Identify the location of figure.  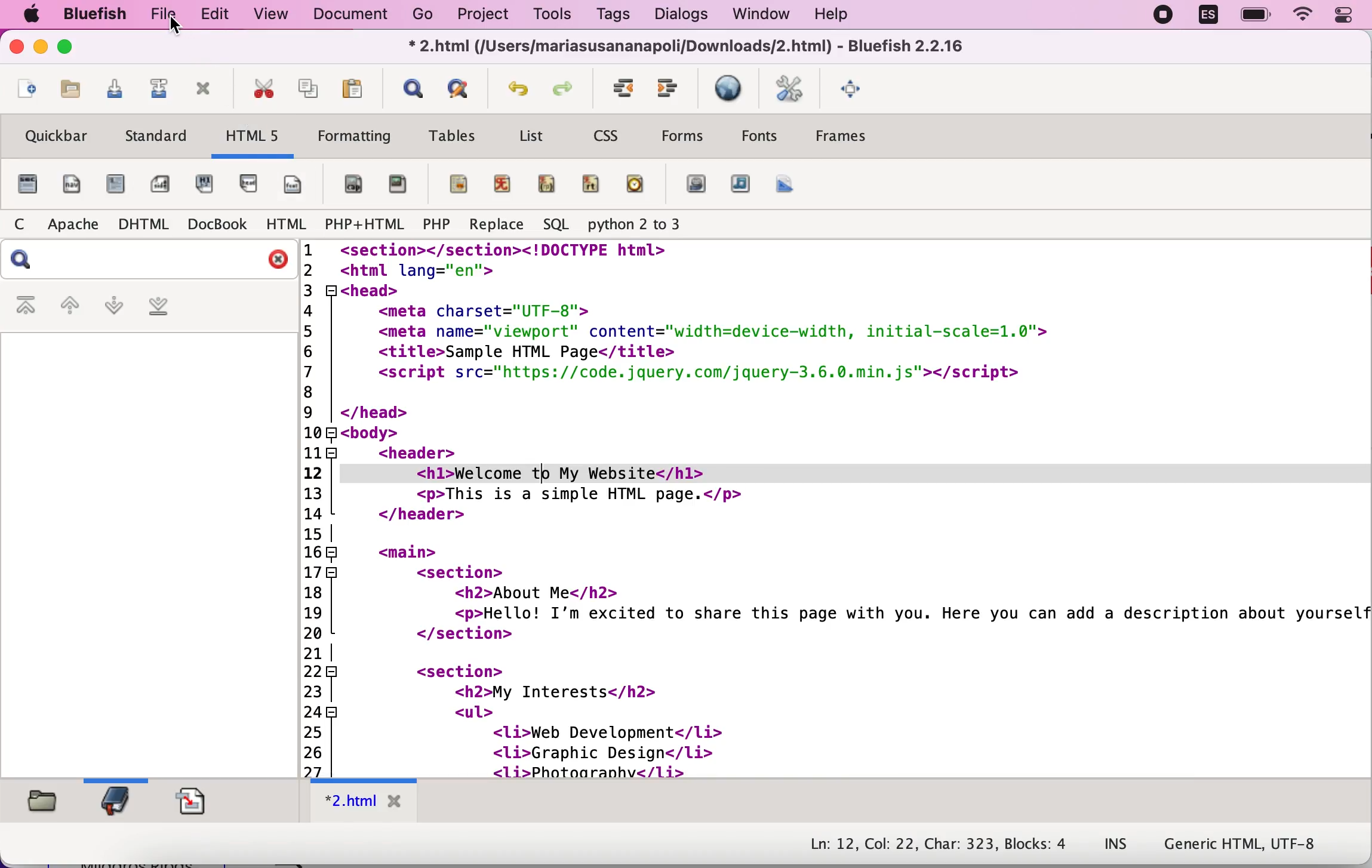
(396, 187).